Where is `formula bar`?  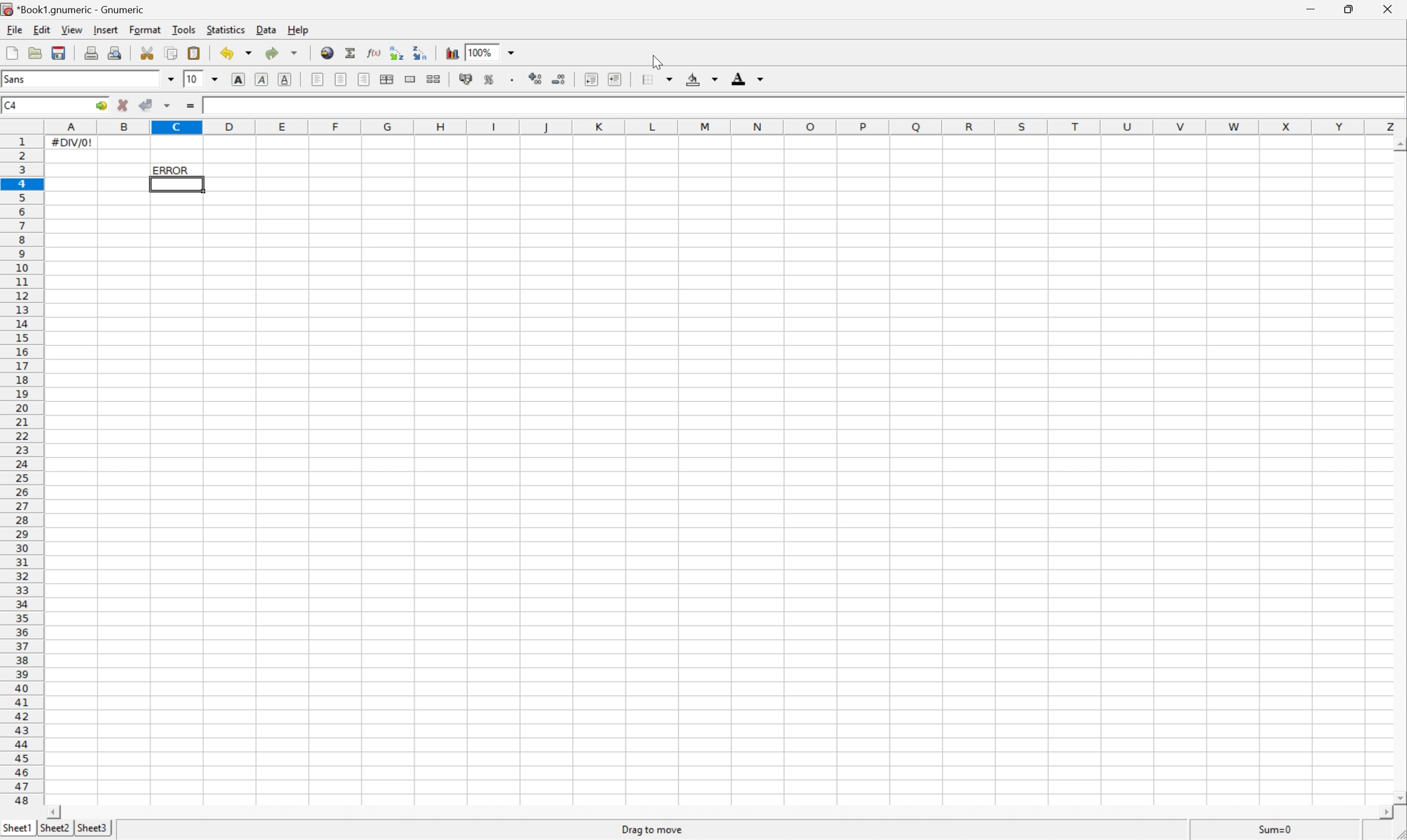 formula bar is located at coordinates (286, 105).